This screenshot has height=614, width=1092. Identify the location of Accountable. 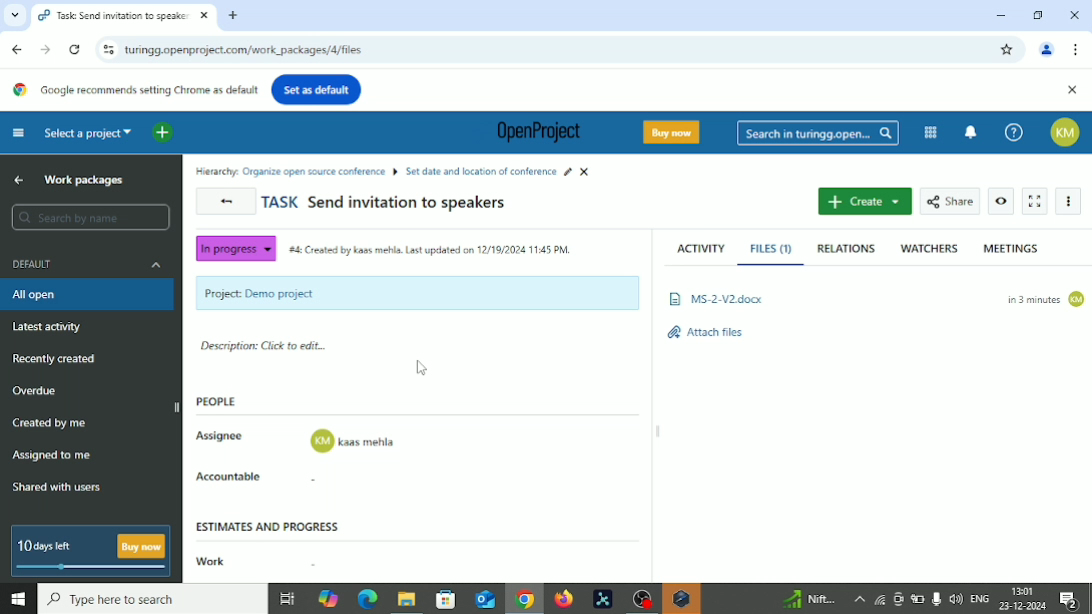
(236, 477).